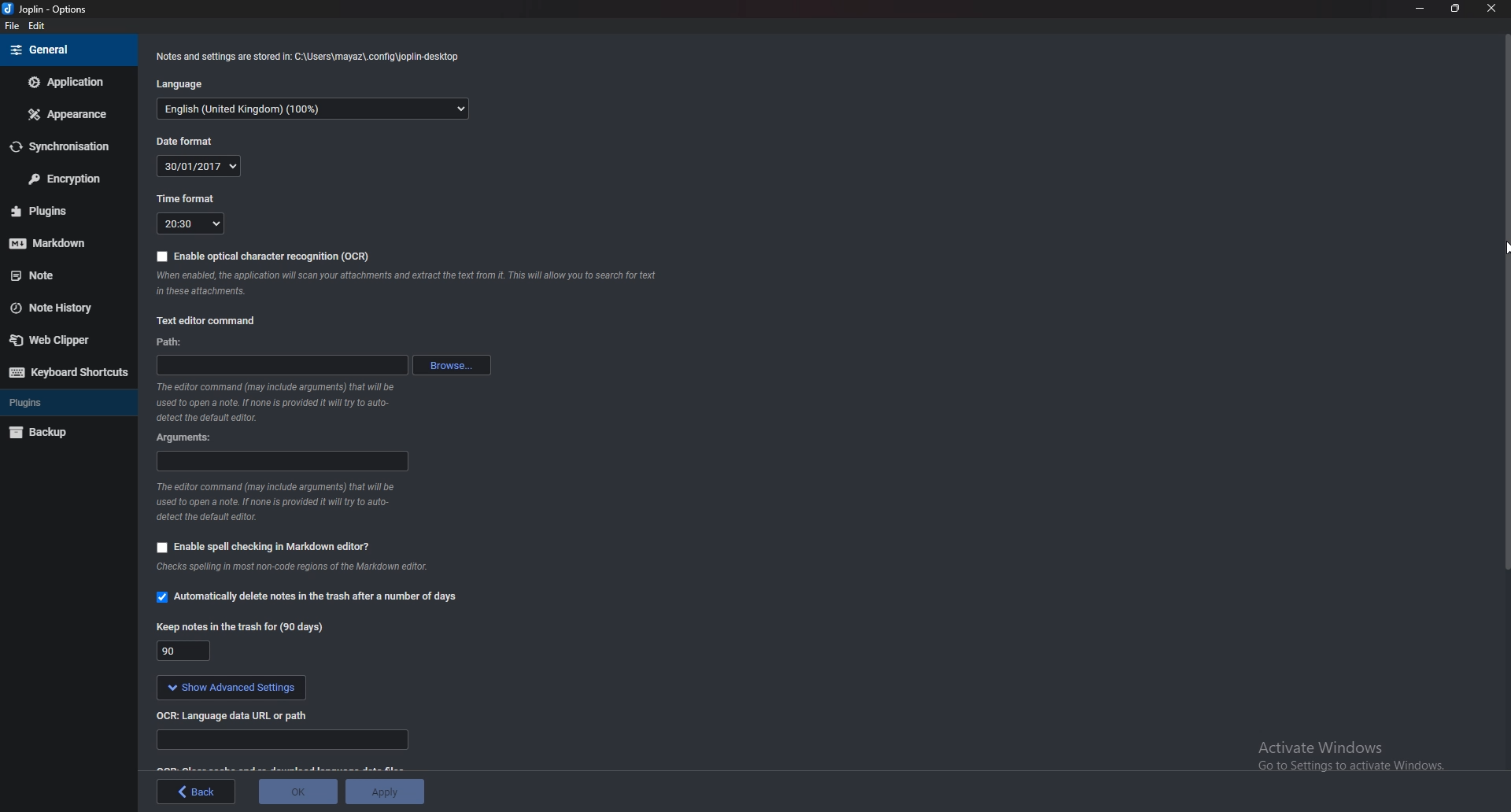 This screenshot has width=1511, height=812. I want to click on Keyboard shortcuts, so click(68, 372).